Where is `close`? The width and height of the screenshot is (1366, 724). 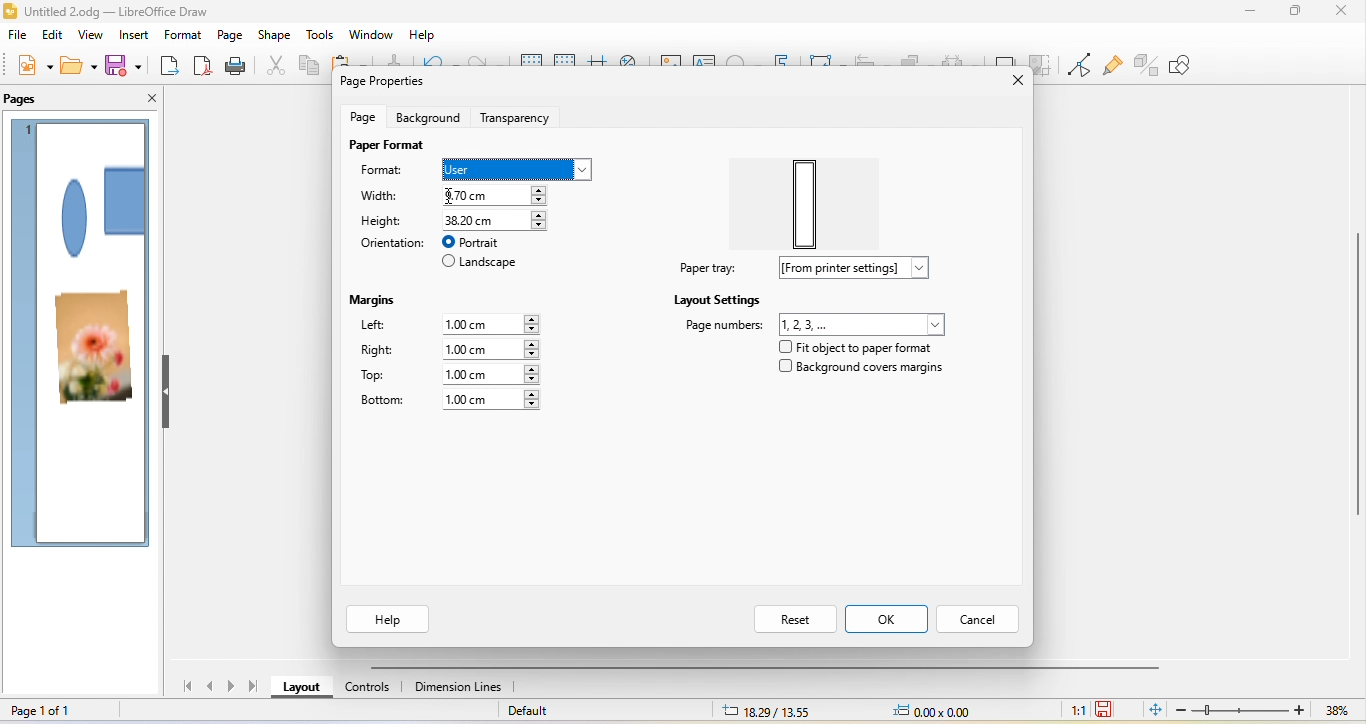 close is located at coordinates (1342, 14).